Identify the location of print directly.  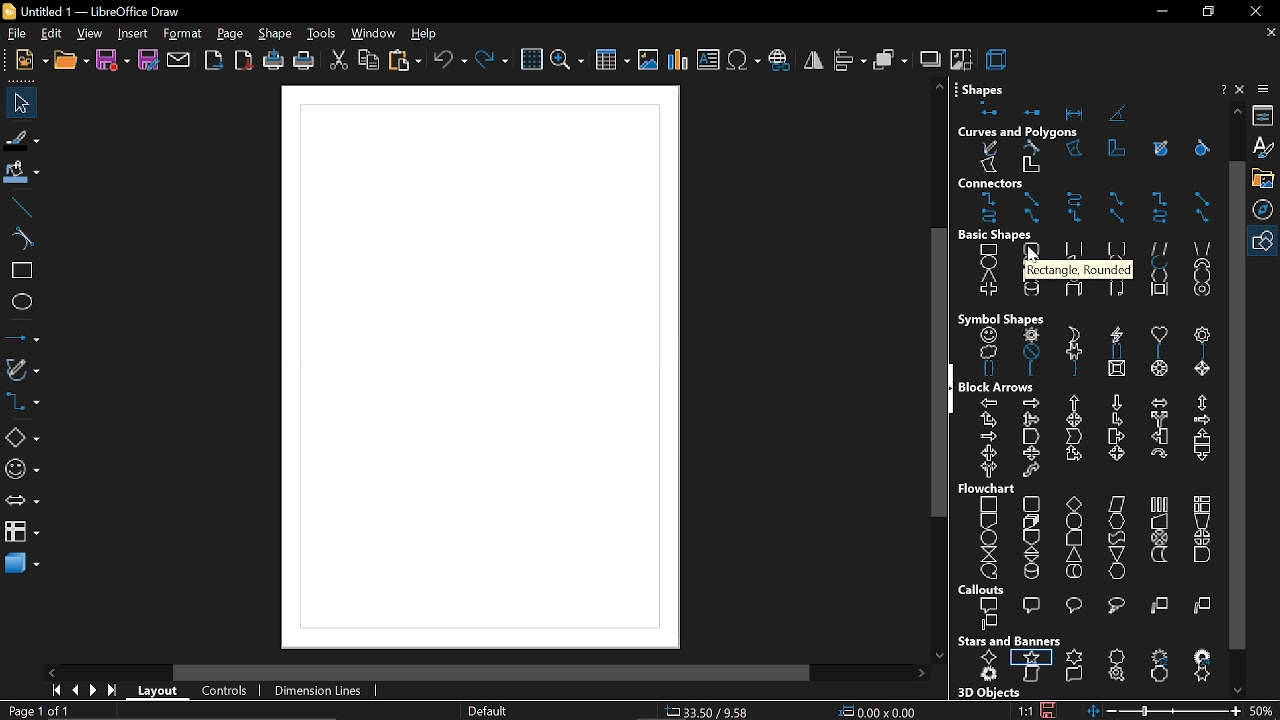
(272, 61).